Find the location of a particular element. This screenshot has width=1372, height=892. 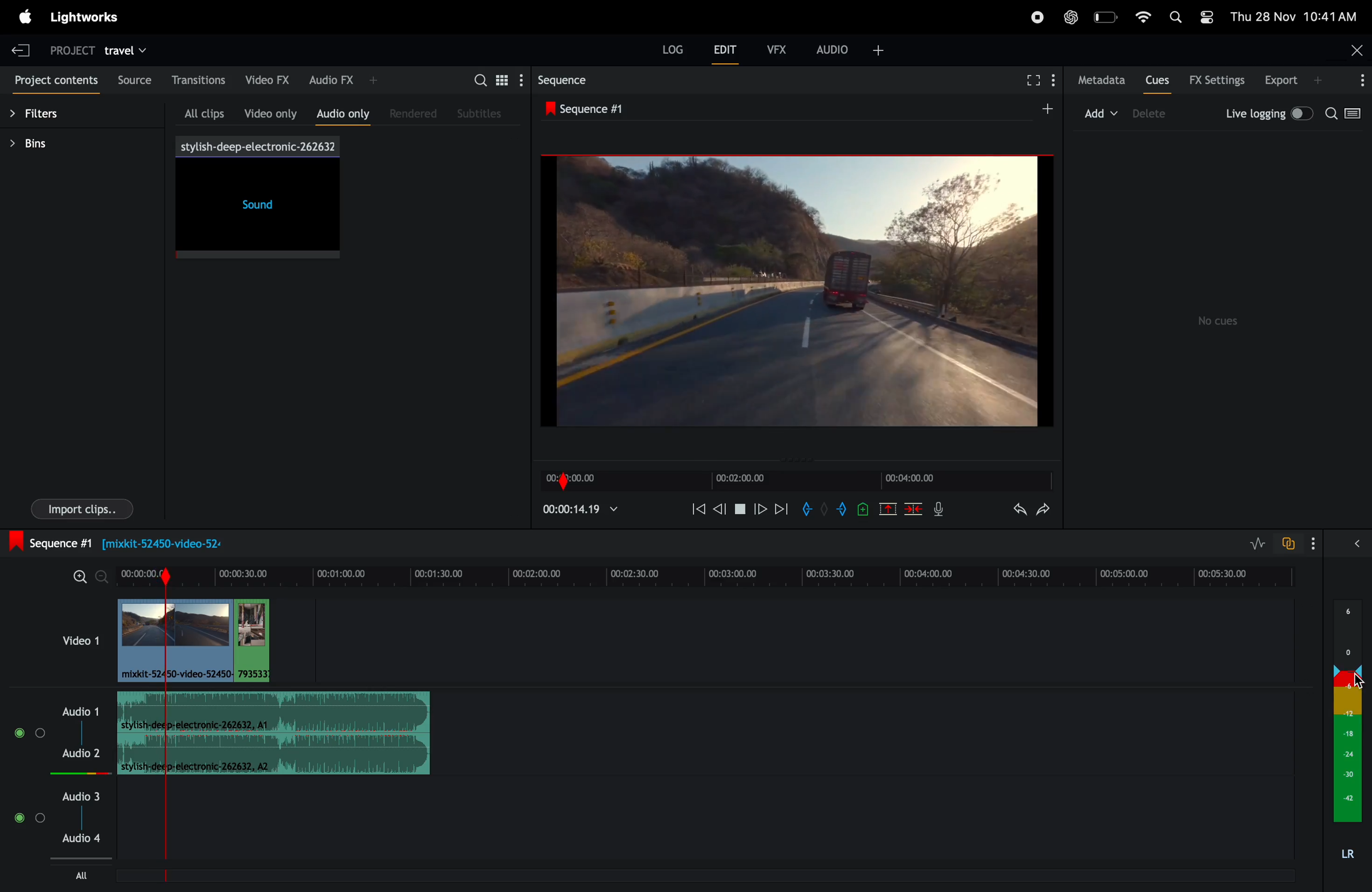

cursor is located at coordinates (1359, 683).